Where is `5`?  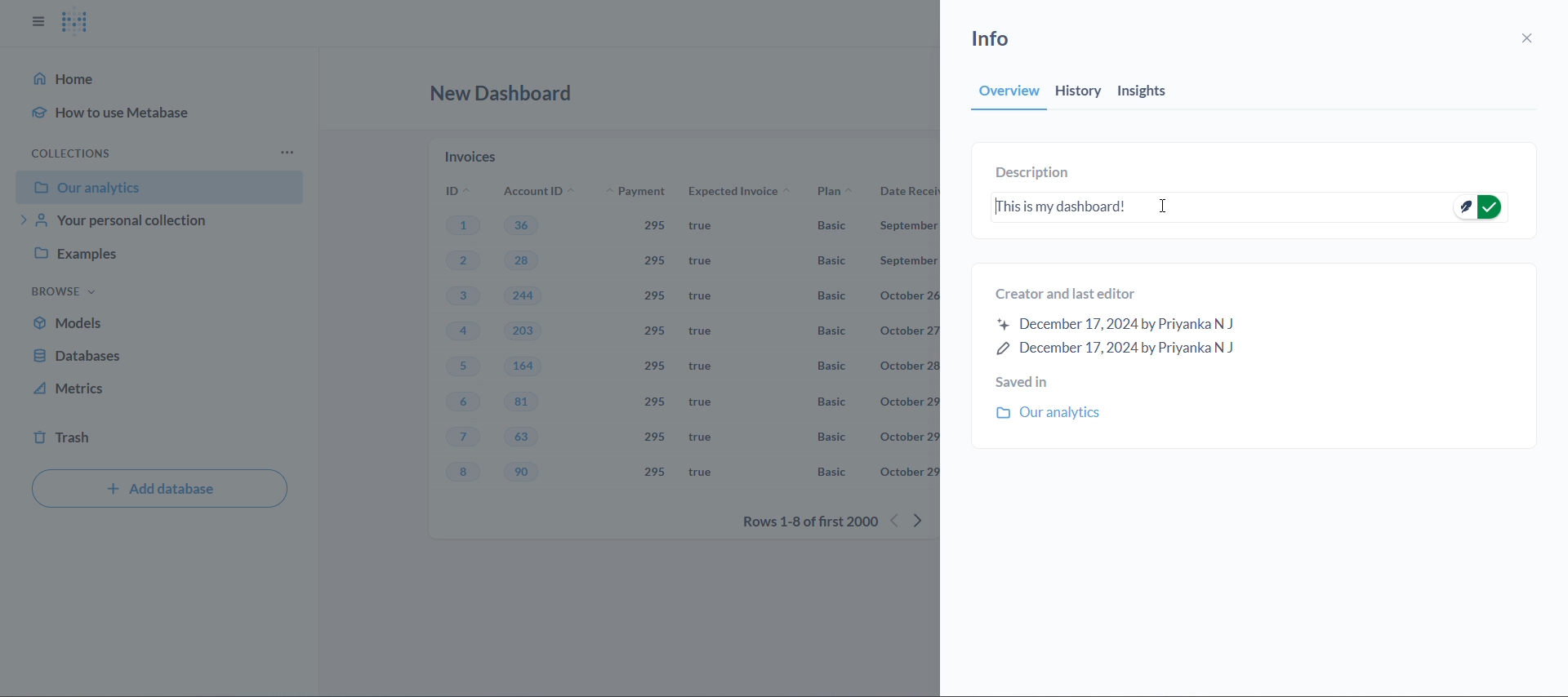 5 is located at coordinates (463, 367).